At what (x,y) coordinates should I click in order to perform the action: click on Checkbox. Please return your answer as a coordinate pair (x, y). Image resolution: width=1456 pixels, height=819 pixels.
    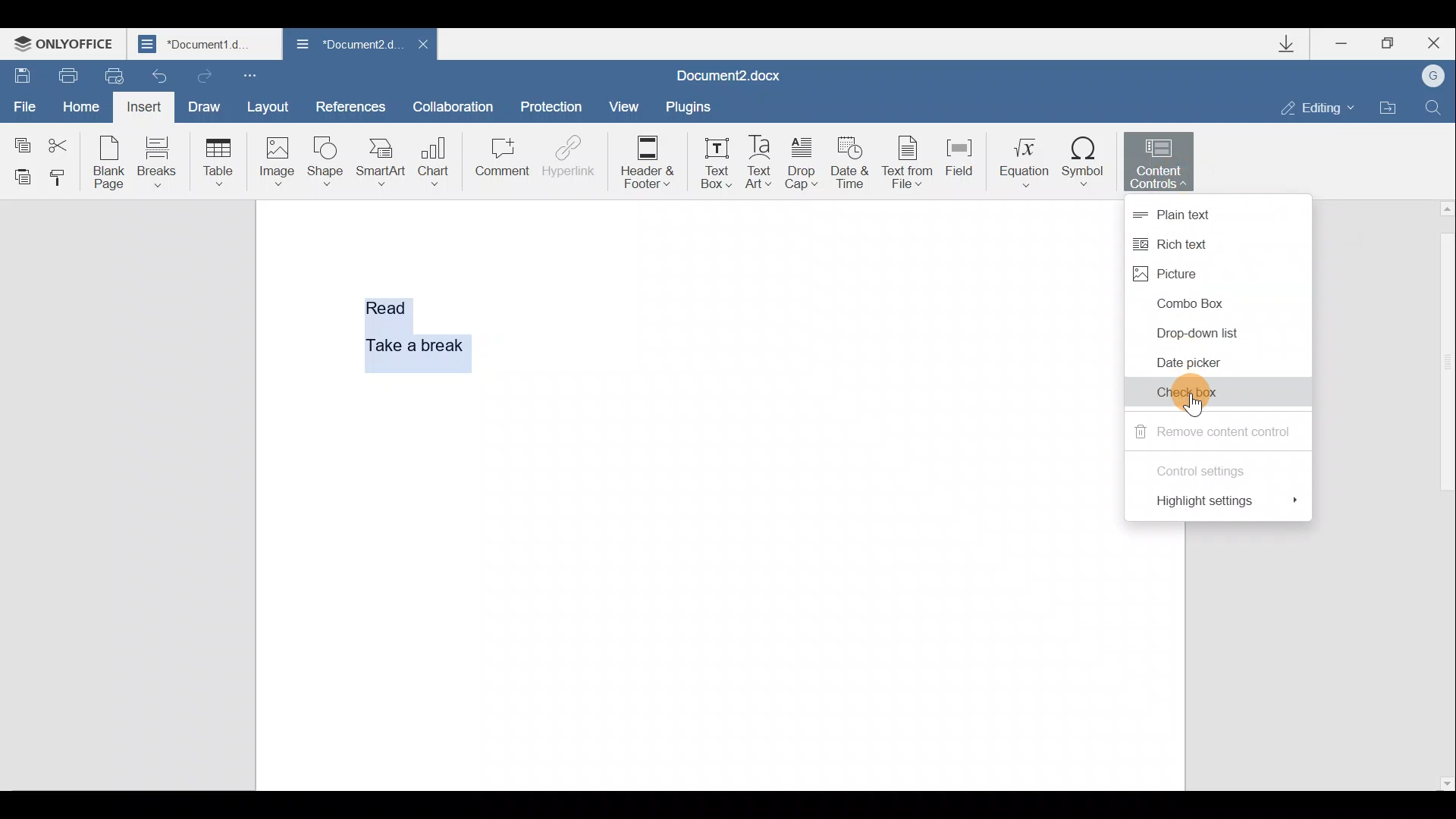
    Looking at the image, I should click on (1200, 392).